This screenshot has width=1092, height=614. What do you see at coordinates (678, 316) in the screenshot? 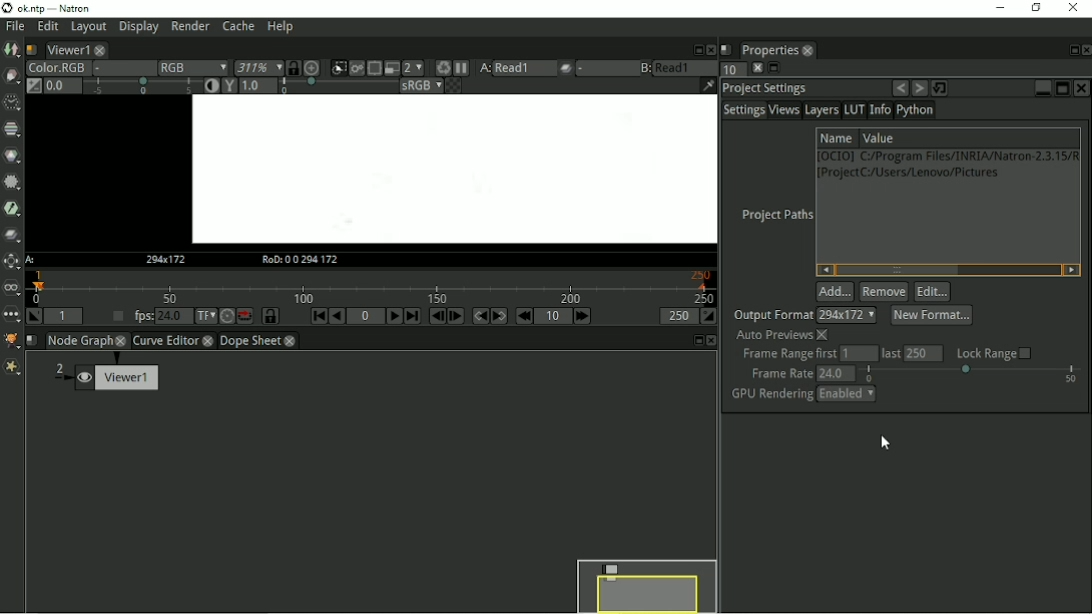
I see `Playback out point` at bounding box center [678, 316].